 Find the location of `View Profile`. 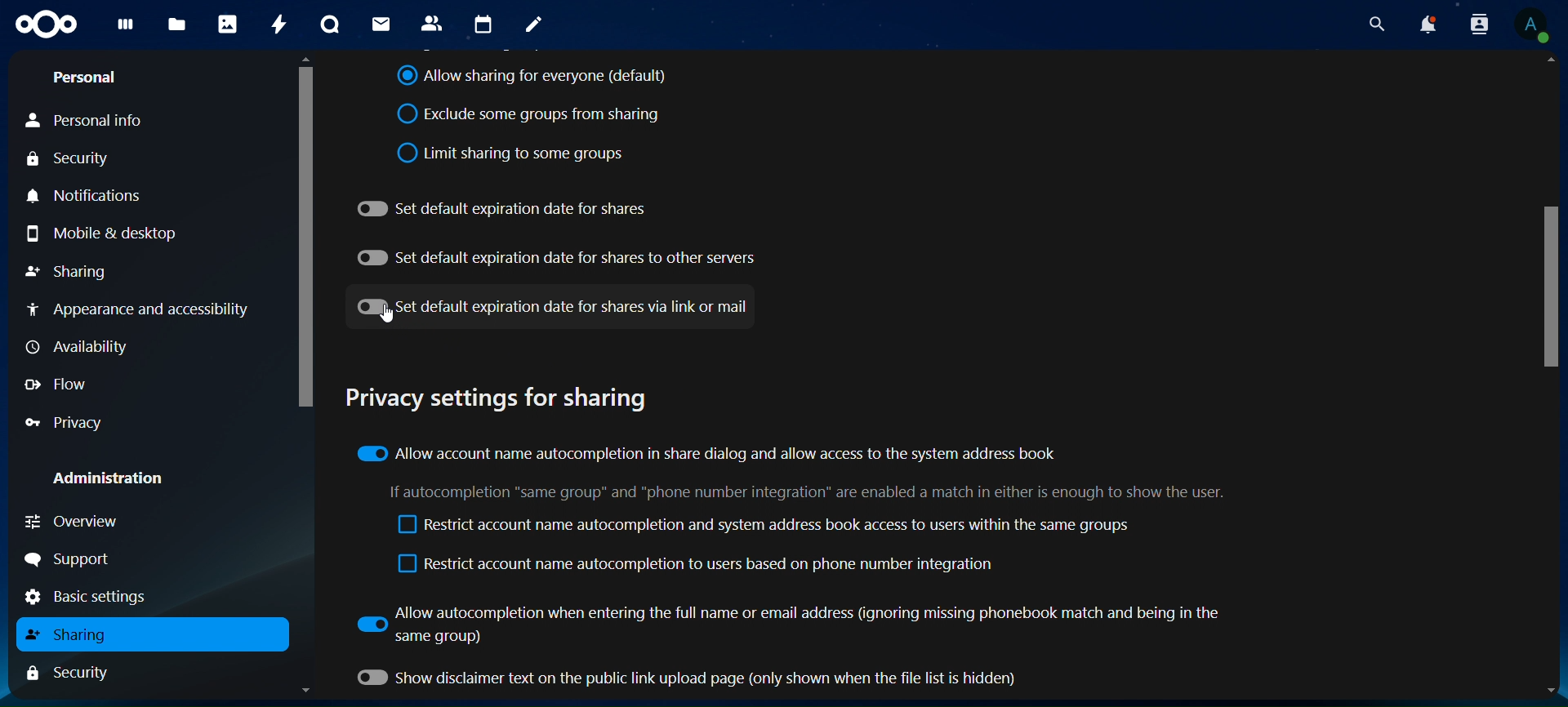

View Profile is located at coordinates (1532, 27).